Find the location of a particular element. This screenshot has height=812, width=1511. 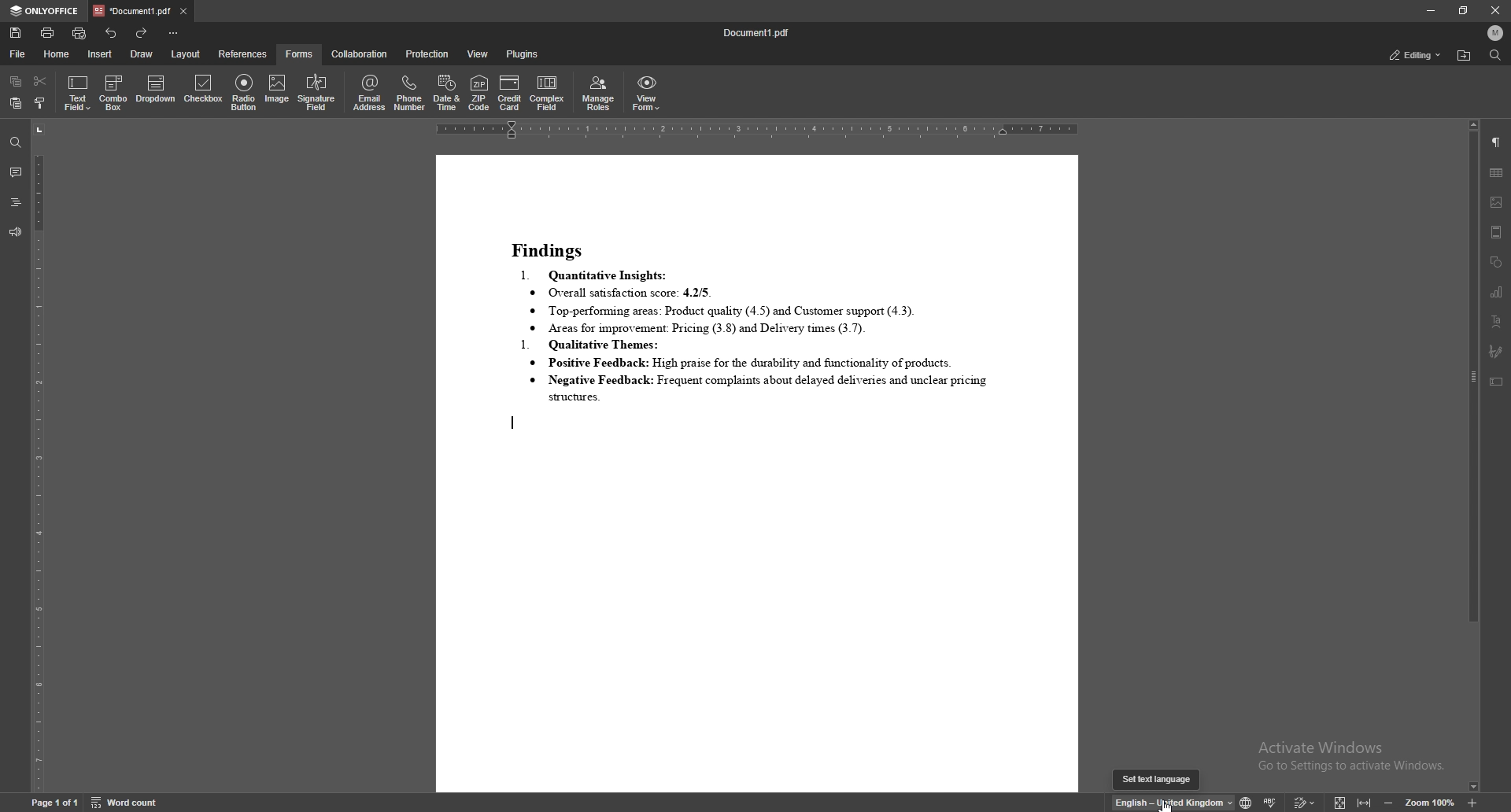

insert is located at coordinates (99, 54).